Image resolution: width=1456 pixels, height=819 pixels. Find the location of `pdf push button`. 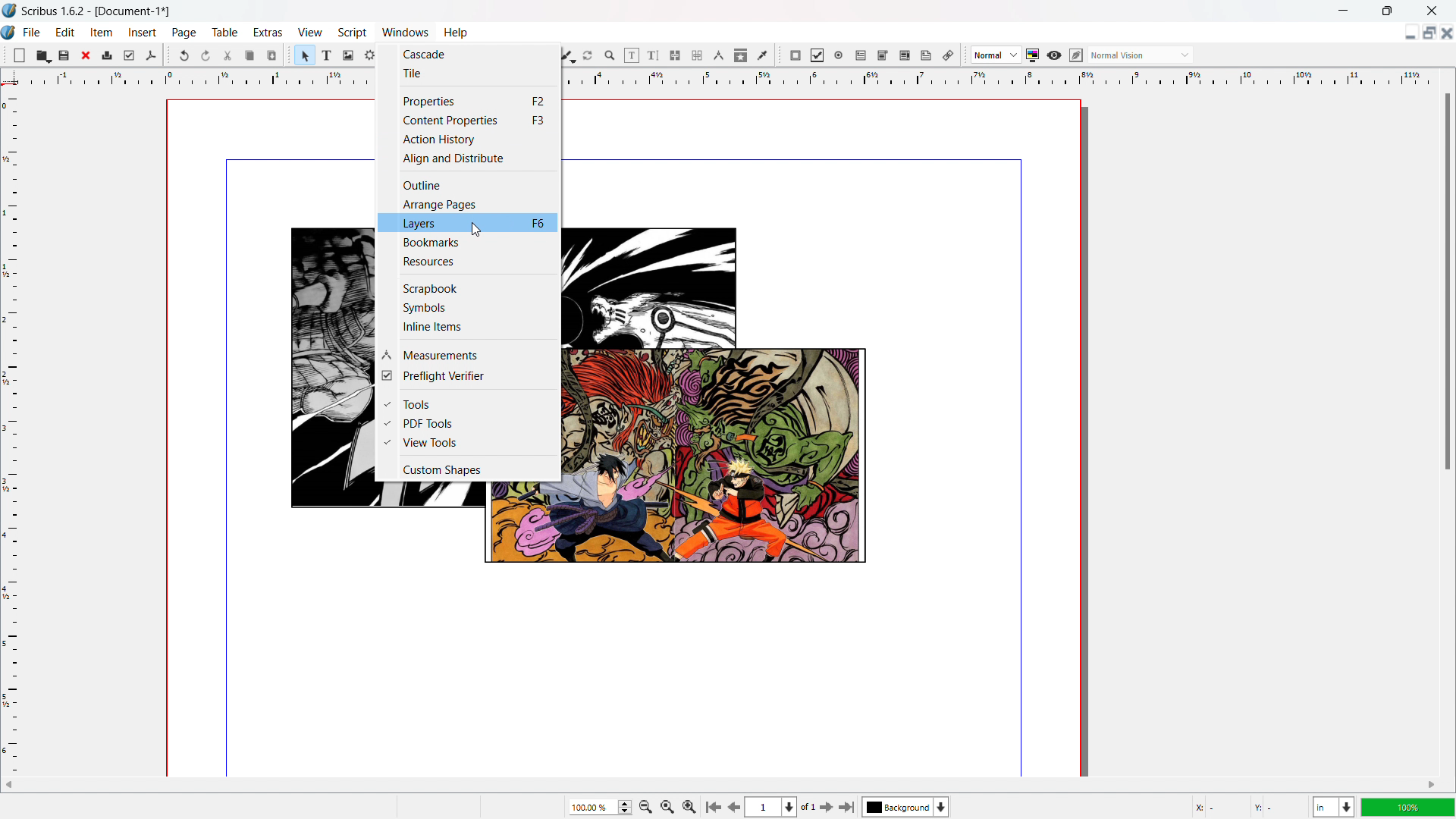

pdf push button is located at coordinates (795, 55).